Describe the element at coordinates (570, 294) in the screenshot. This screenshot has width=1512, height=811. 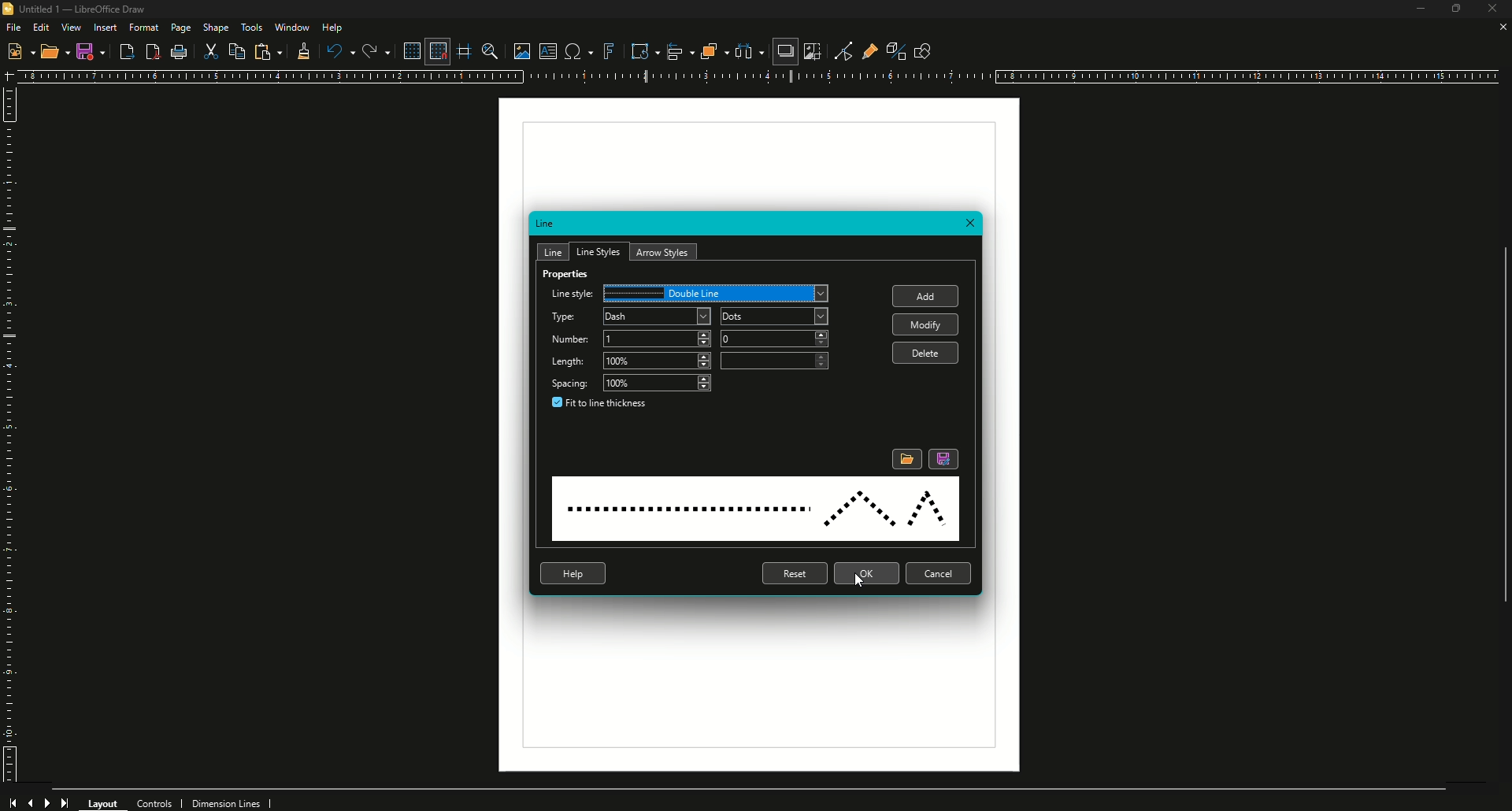
I see `Line Style` at that location.